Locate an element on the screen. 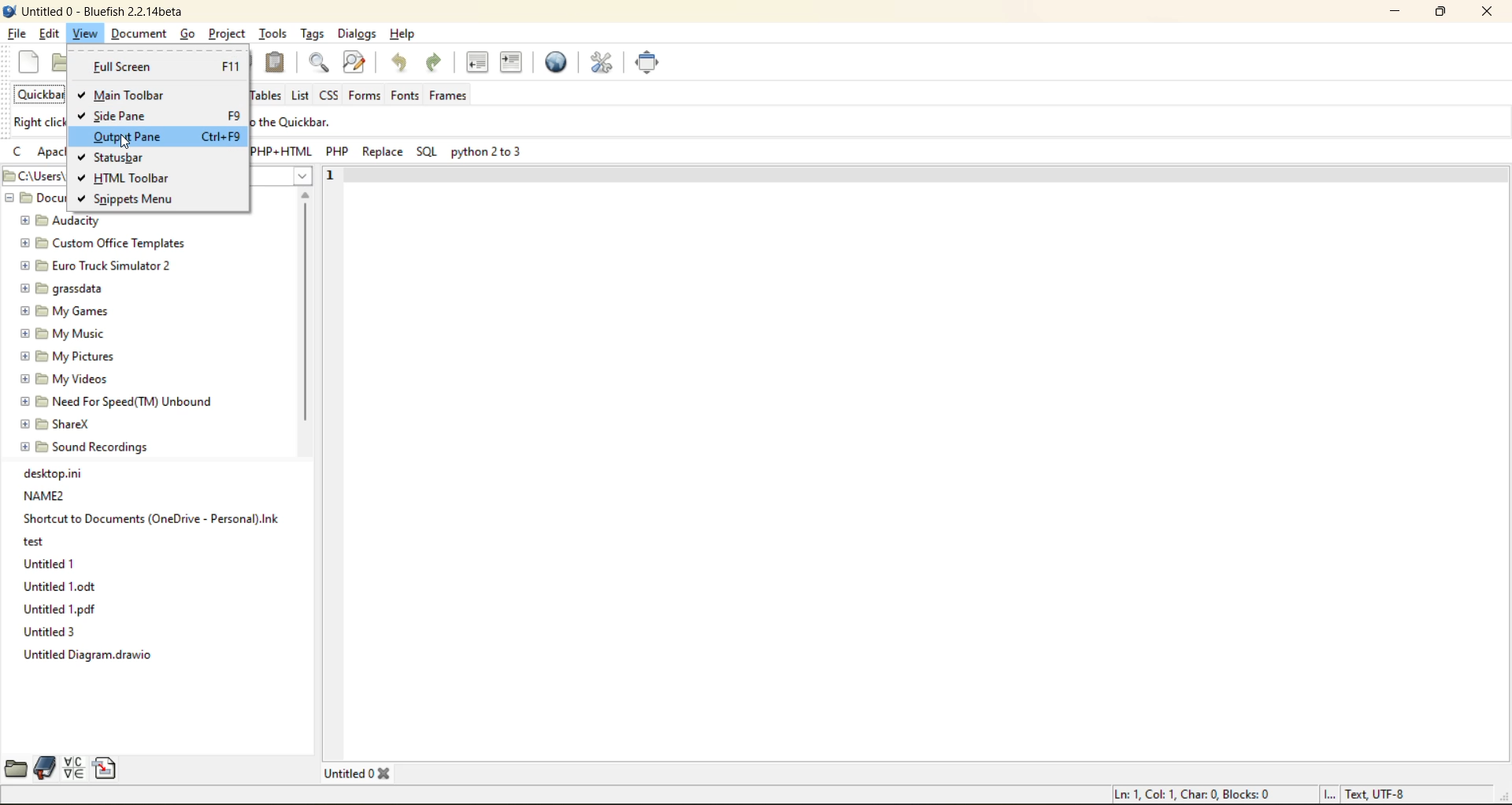 The image size is (1512, 805). My Games is located at coordinates (62, 309).